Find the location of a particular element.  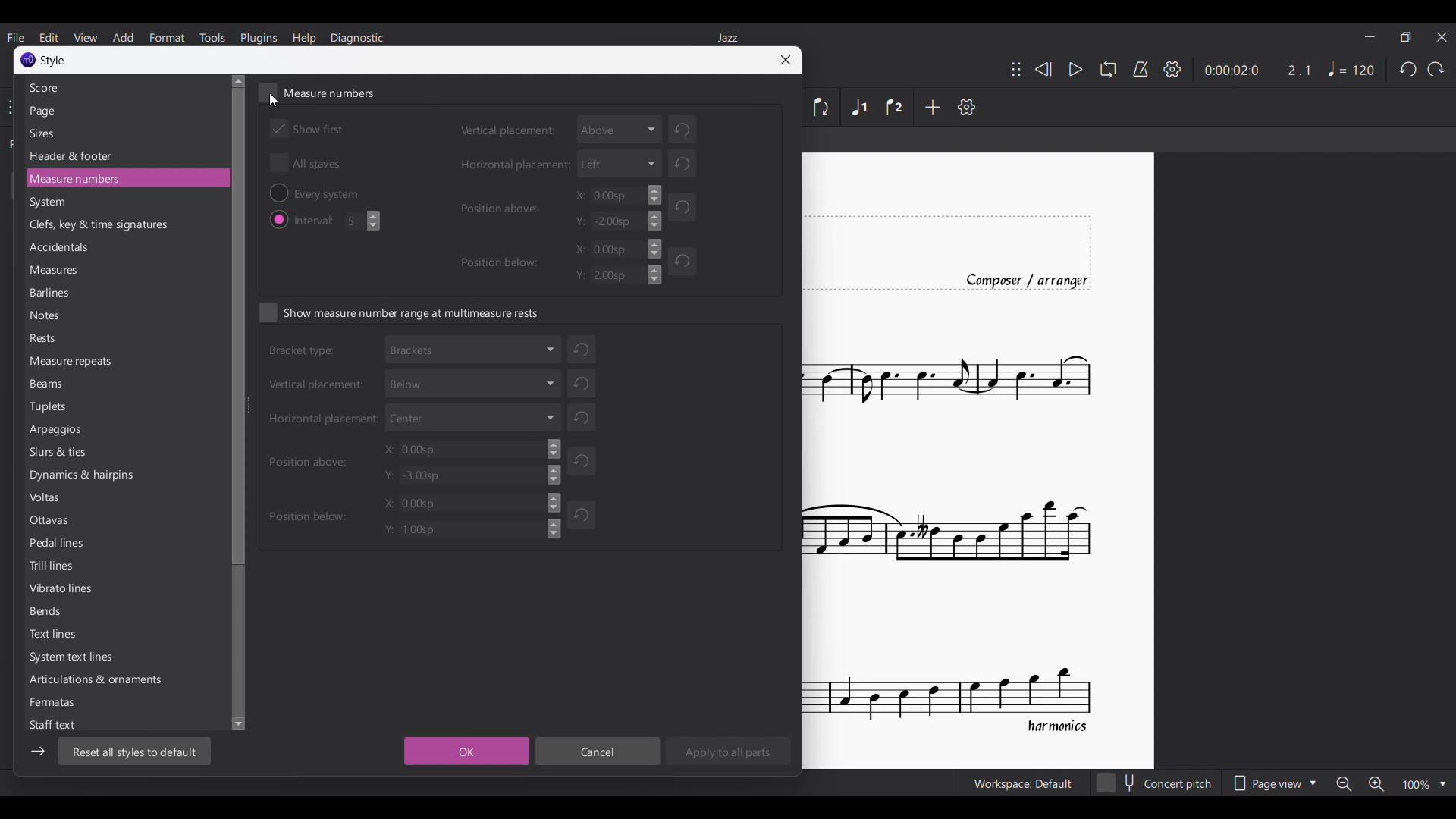

Dynamic is located at coordinates (87, 477).